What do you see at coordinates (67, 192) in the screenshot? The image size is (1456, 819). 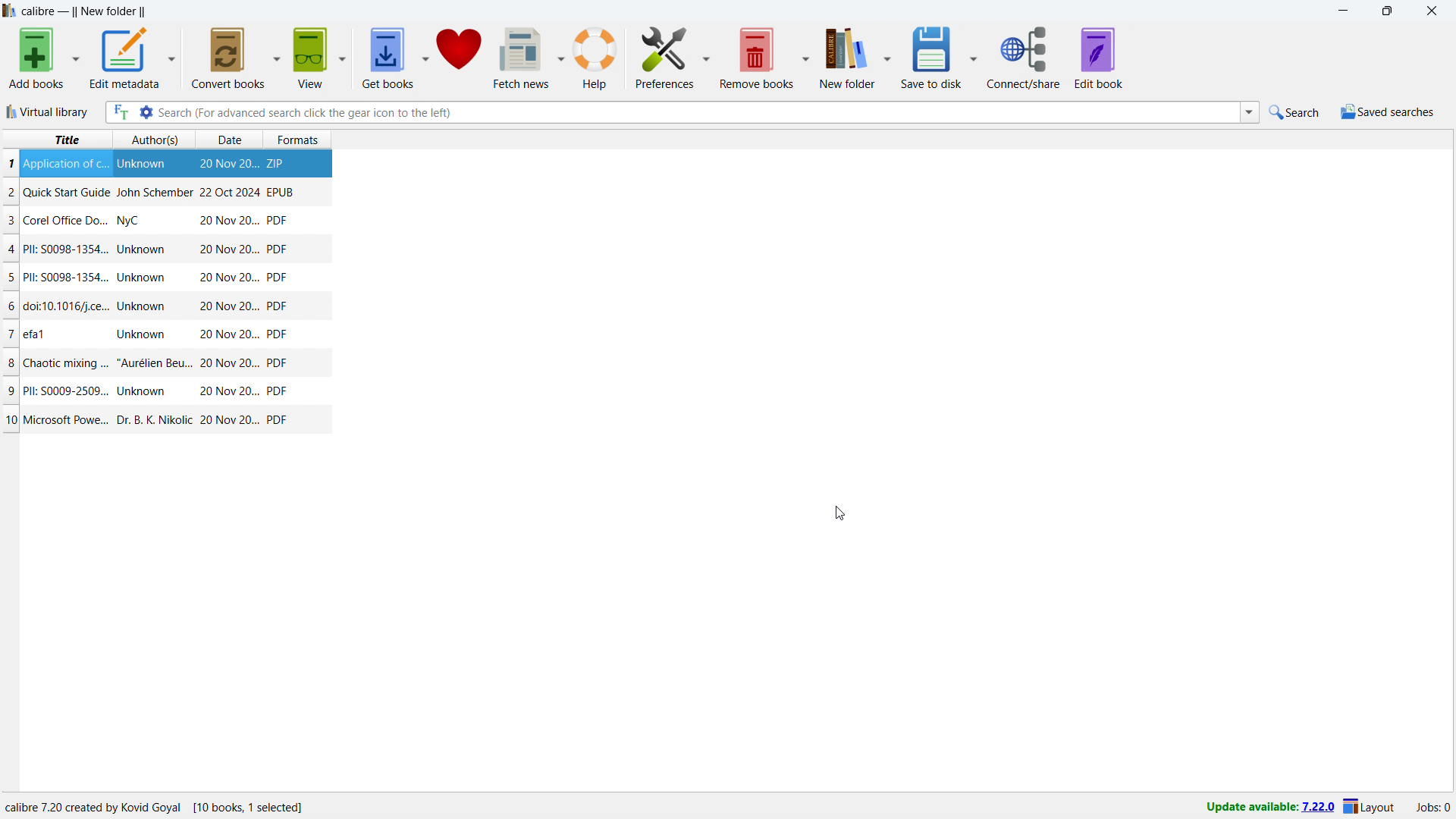 I see `Title` at bounding box center [67, 192].